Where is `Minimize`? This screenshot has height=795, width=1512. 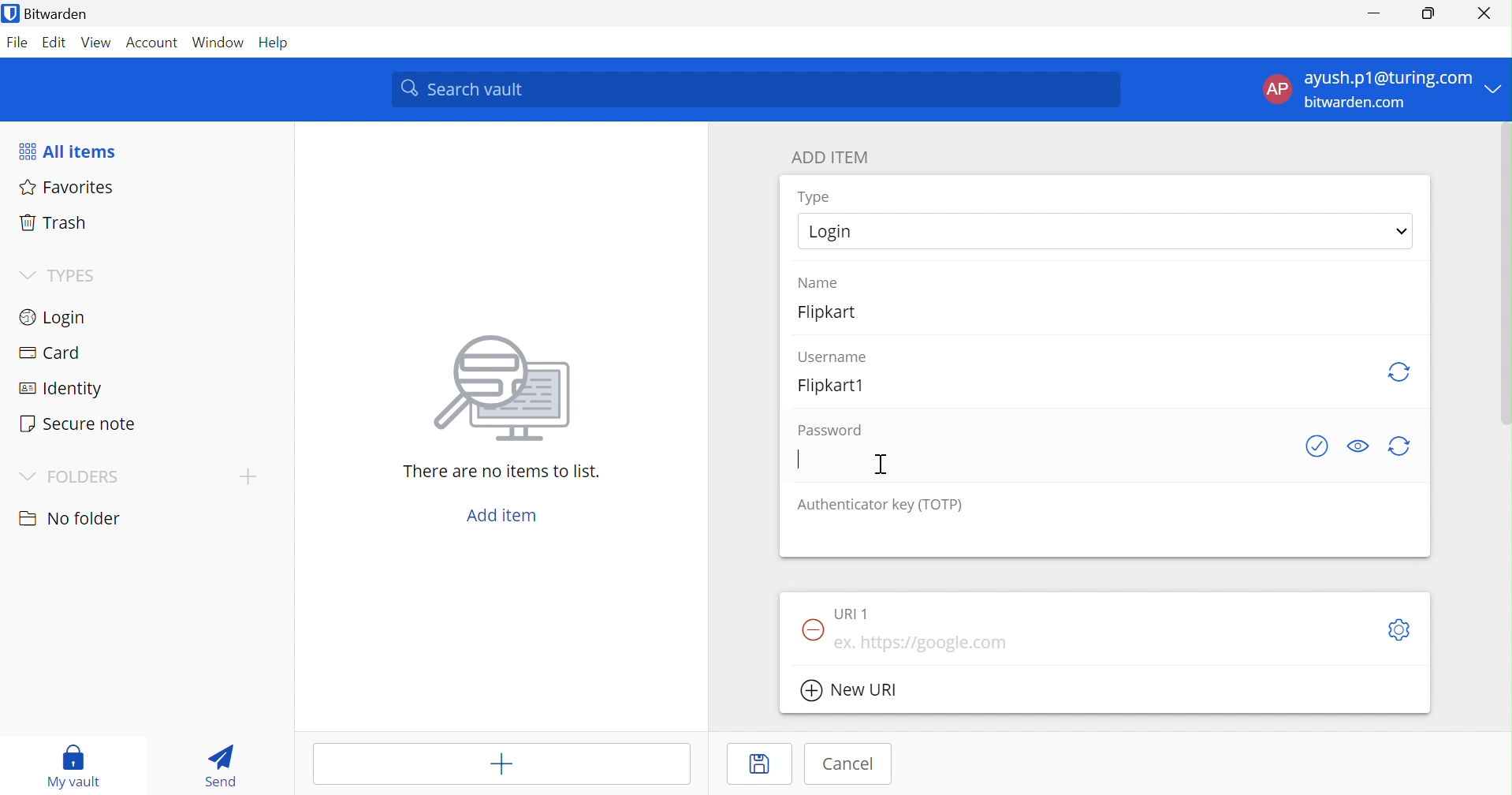 Minimize is located at coordinates (1371, 13).